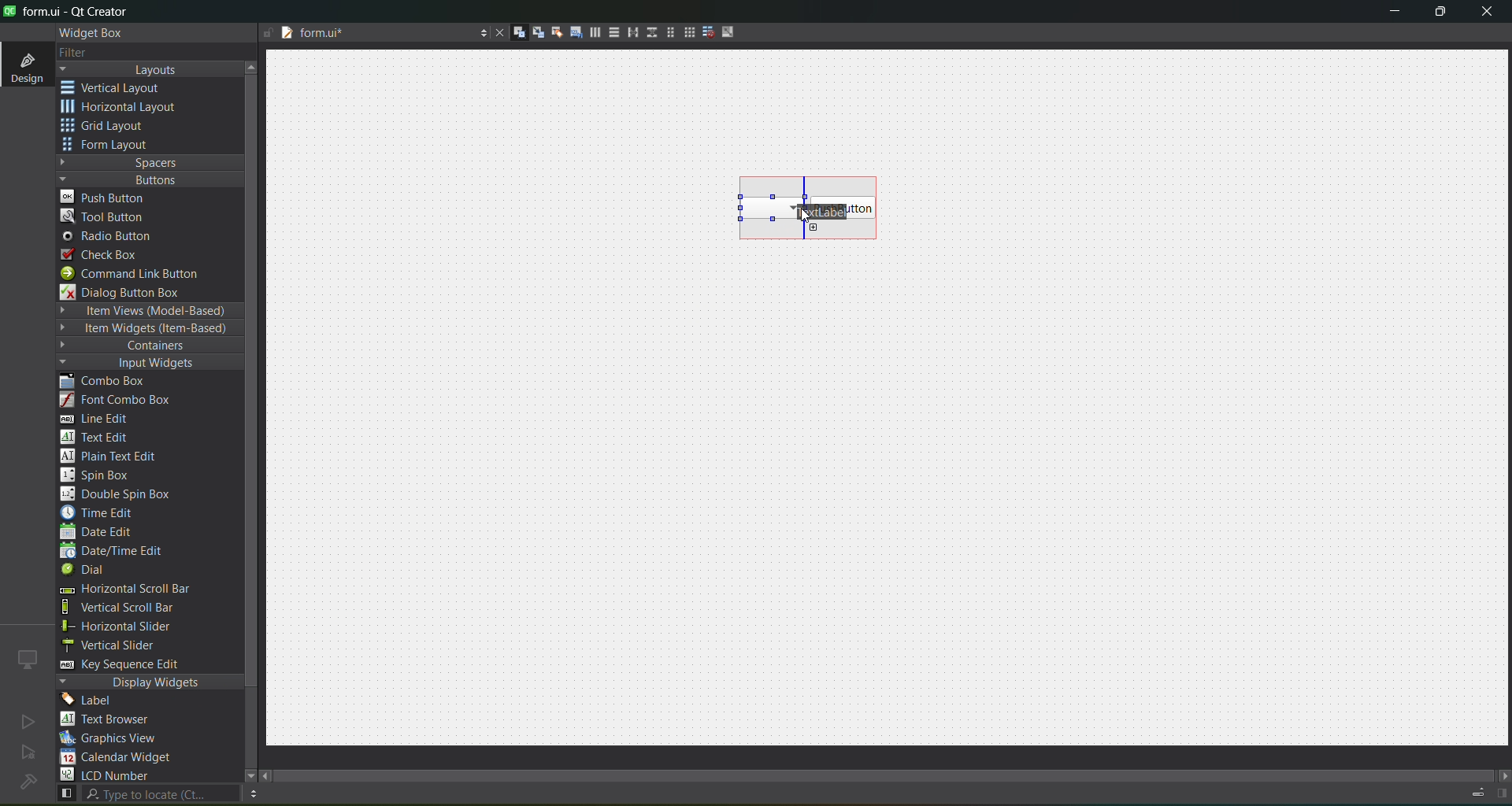  I want to click on move left, so click(268, 777).